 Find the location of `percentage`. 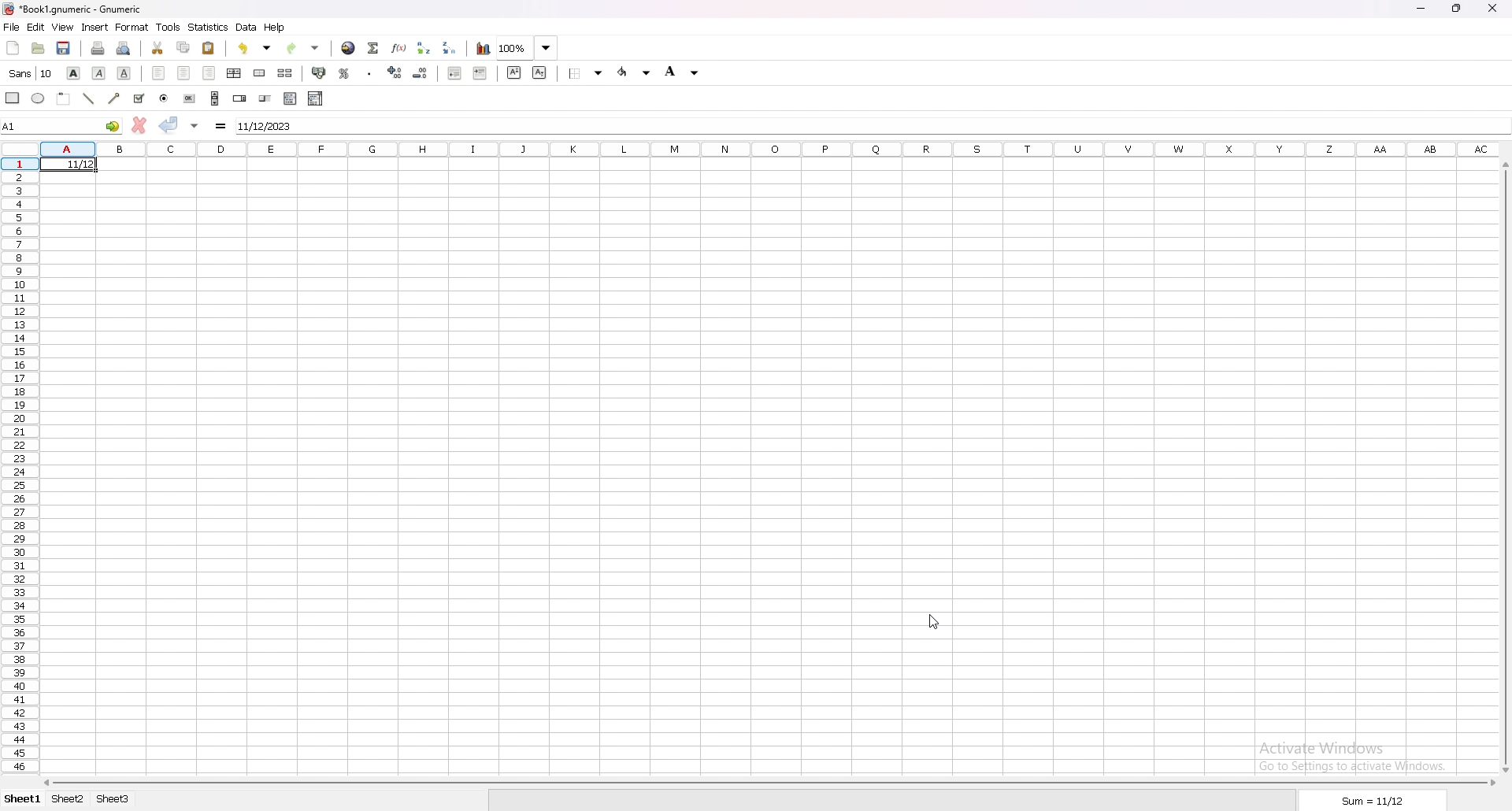

percentage is located at coordinates (344, 73).